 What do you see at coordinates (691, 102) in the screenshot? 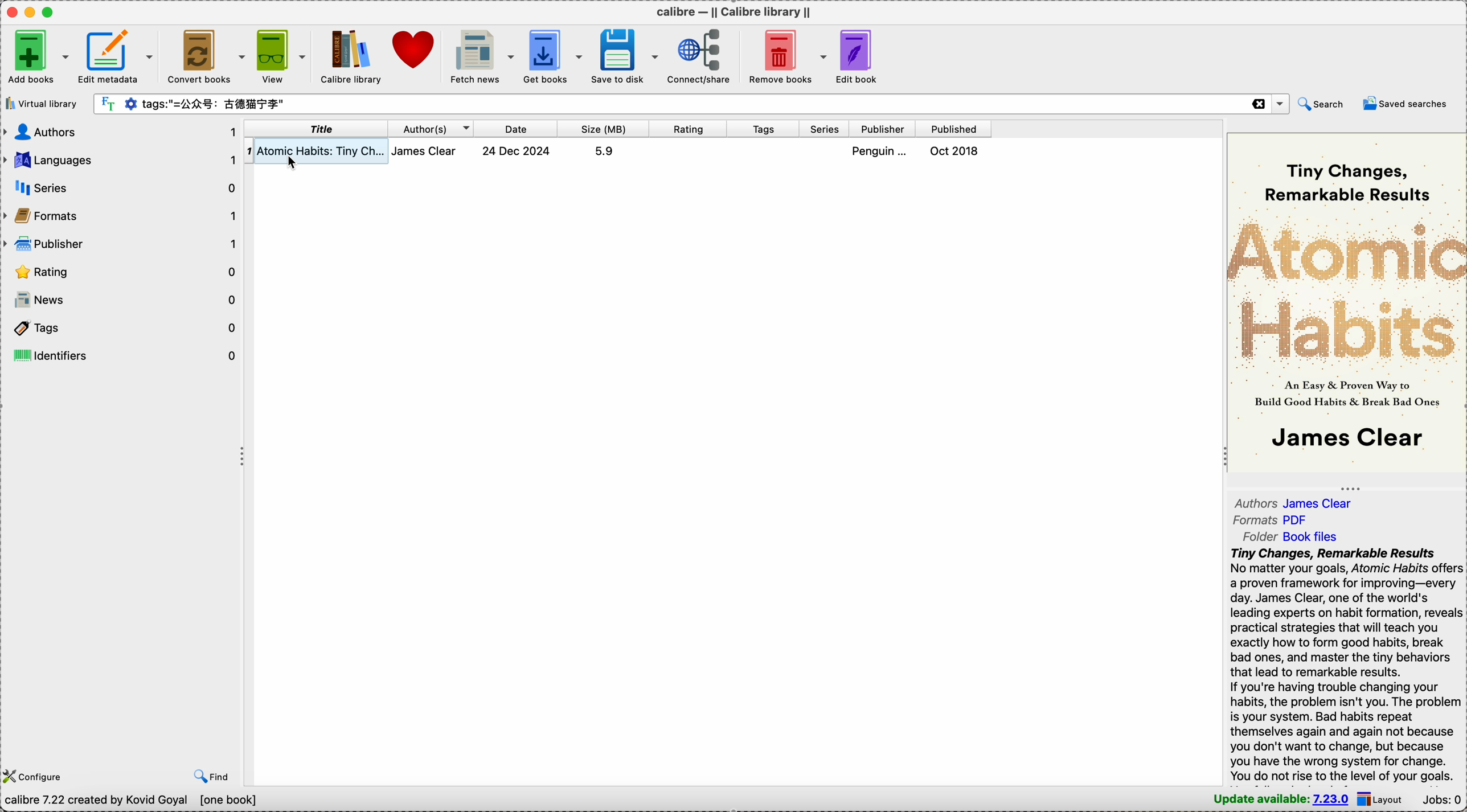
I see `search bar` at bounding box center [691, 102].